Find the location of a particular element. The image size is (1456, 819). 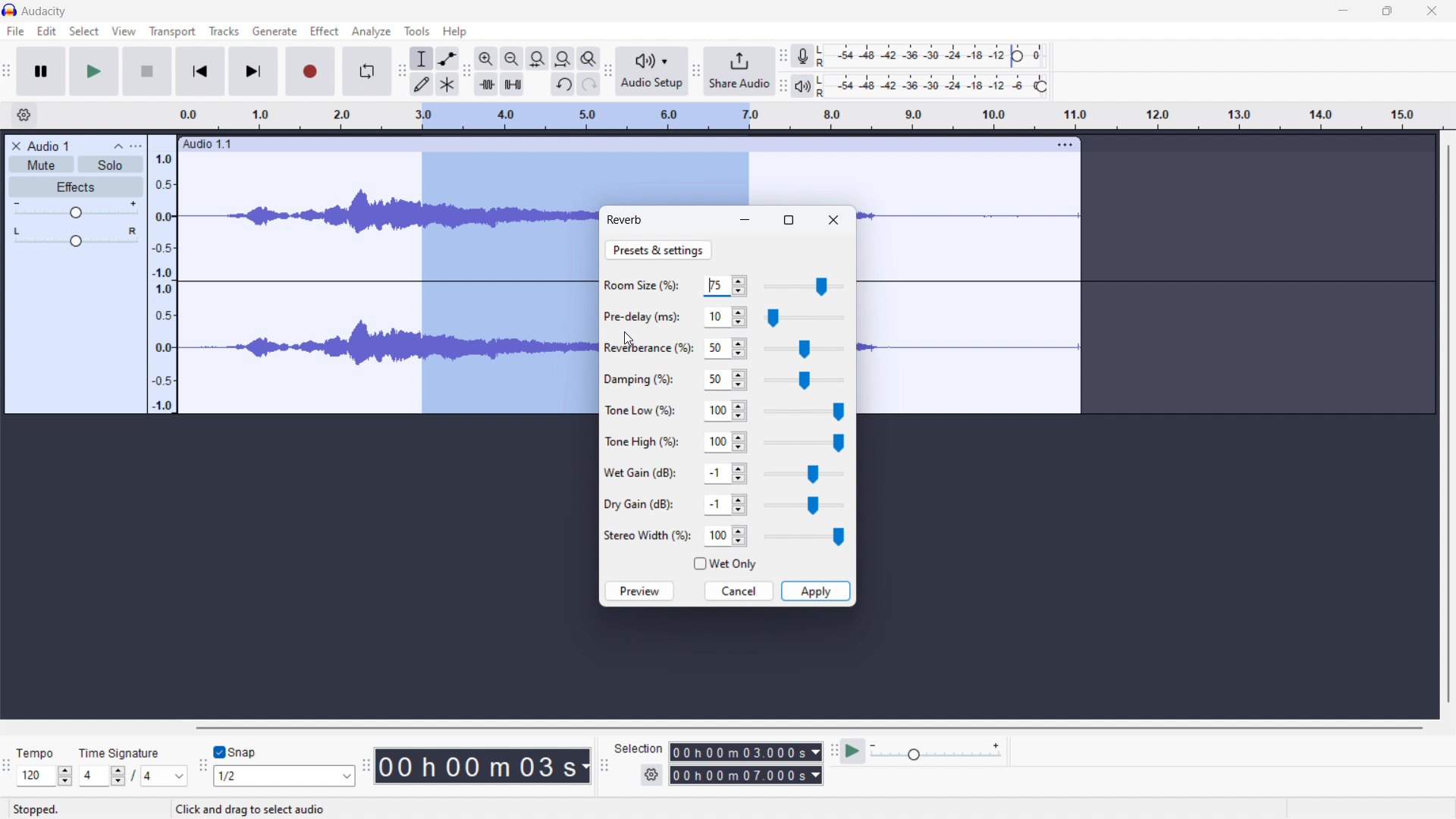

tone high slider is located at coordinates (805, 441).